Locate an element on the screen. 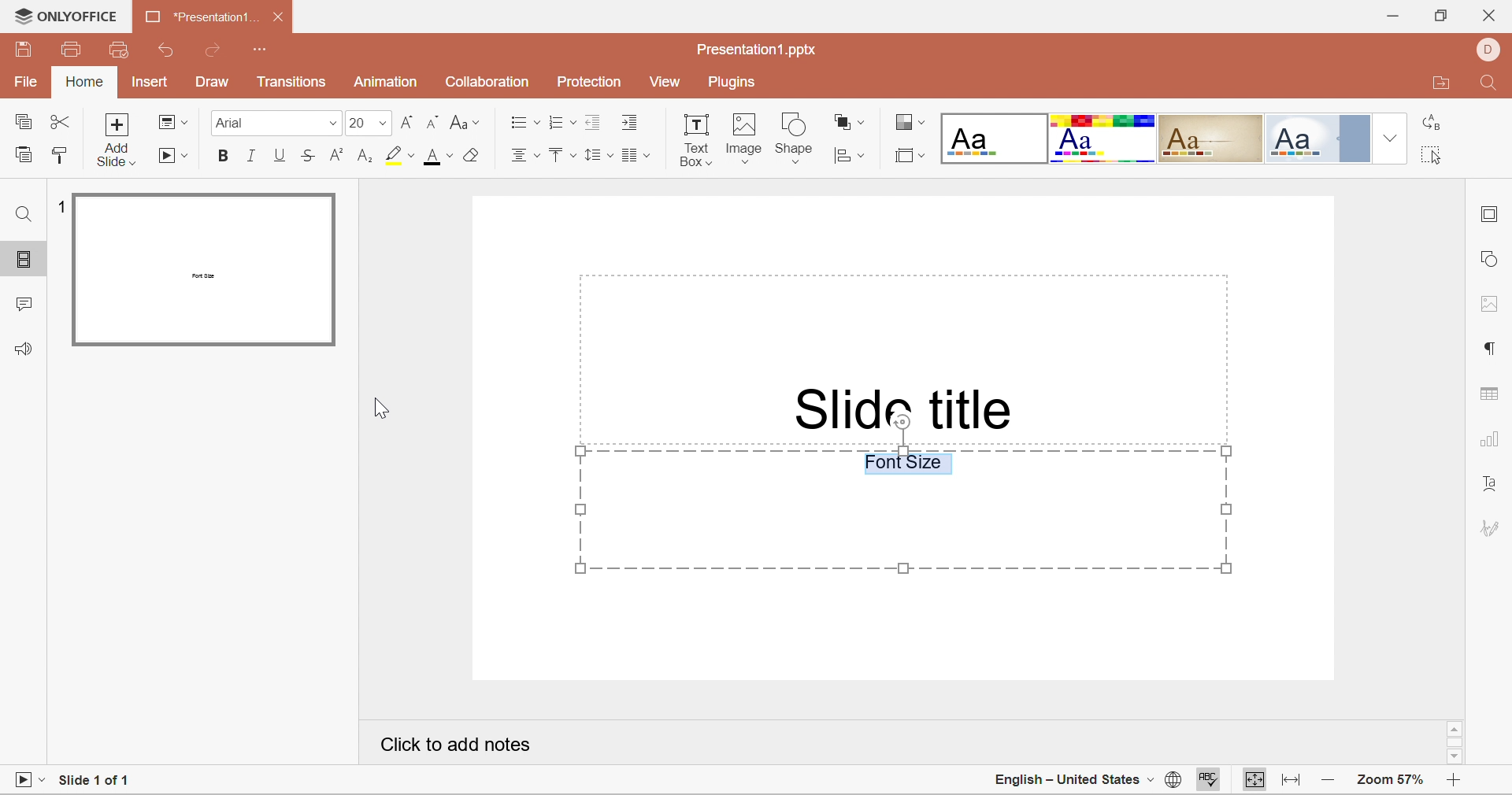  Cursor is located at coordinates (384, 409).